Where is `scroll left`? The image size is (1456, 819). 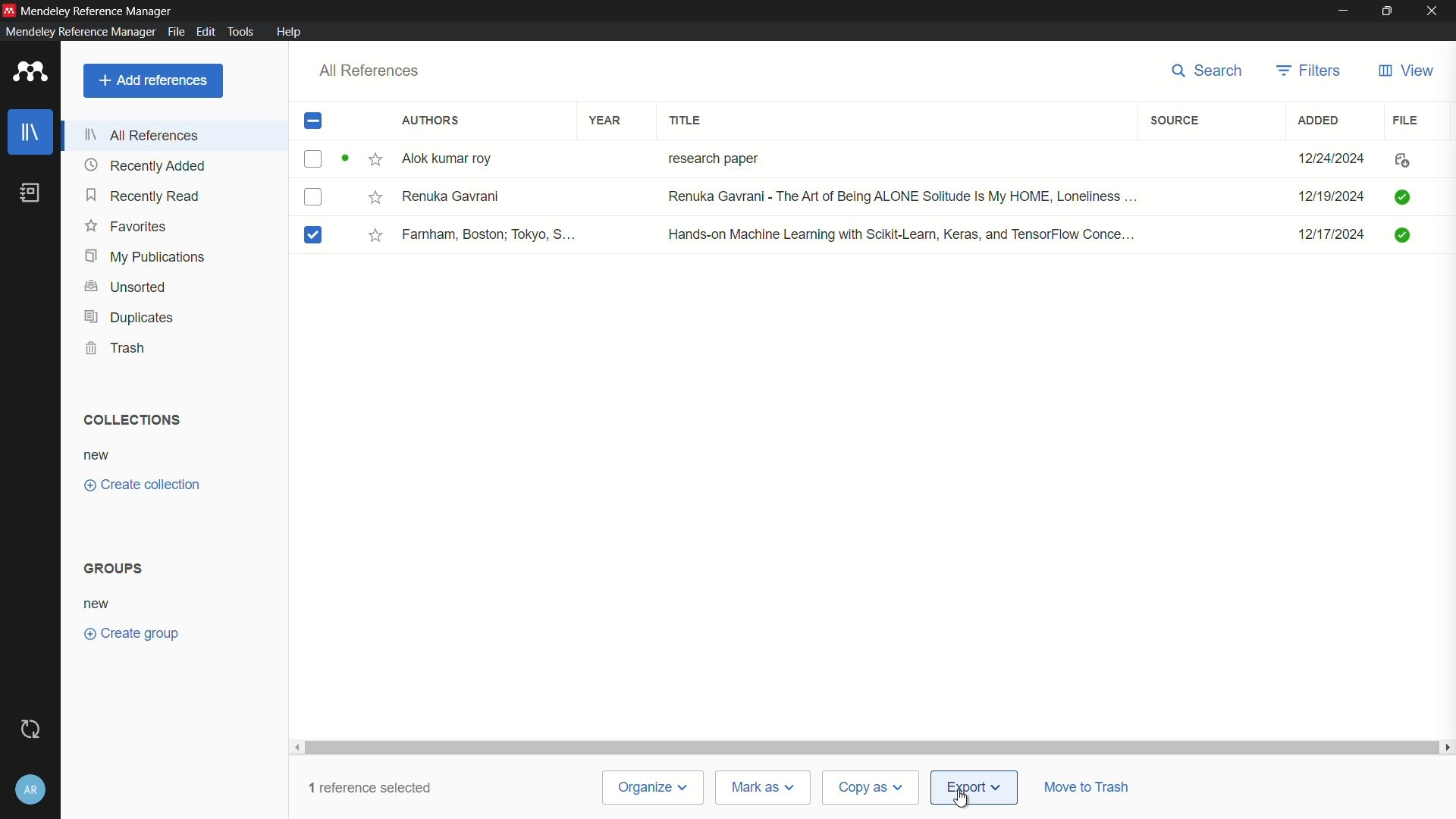
scroll left is located at coordinates (298, 747).